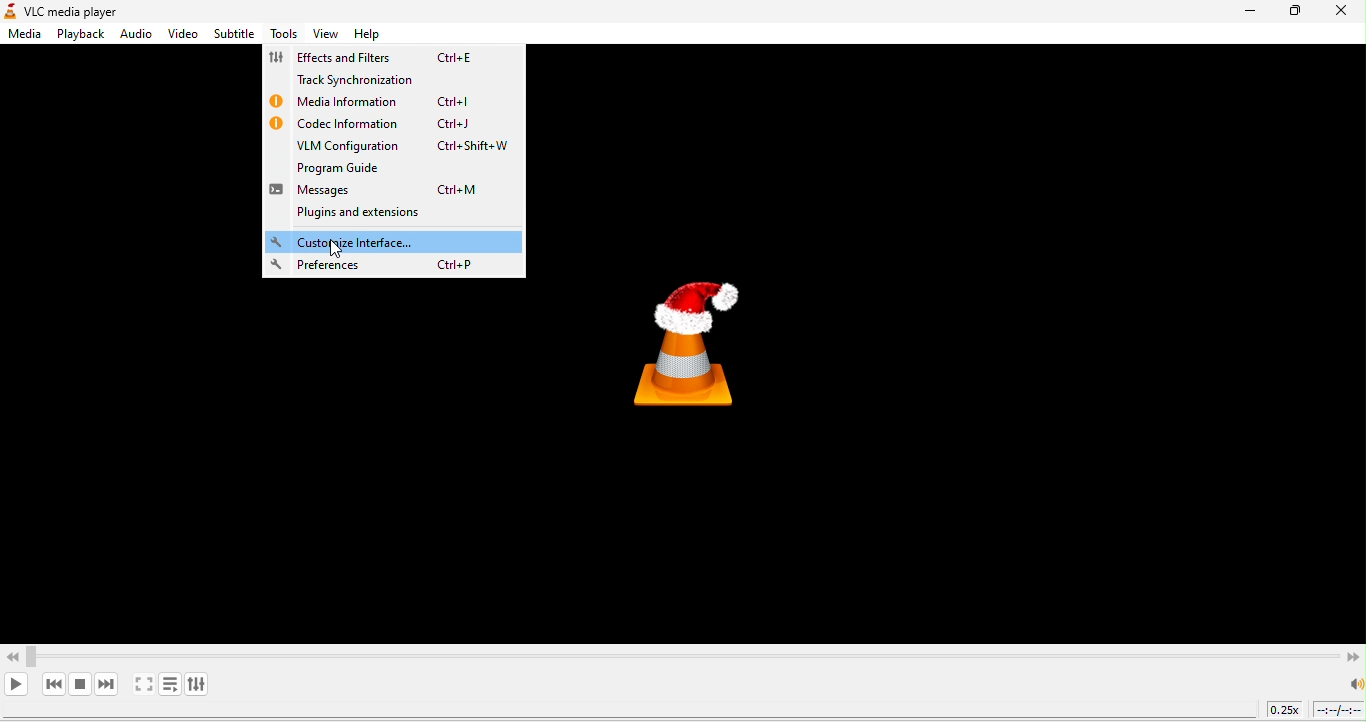  What do you see at coordinates (53, 684) in the screenshot?
I see `previous media` at bounding box center [53, 684].